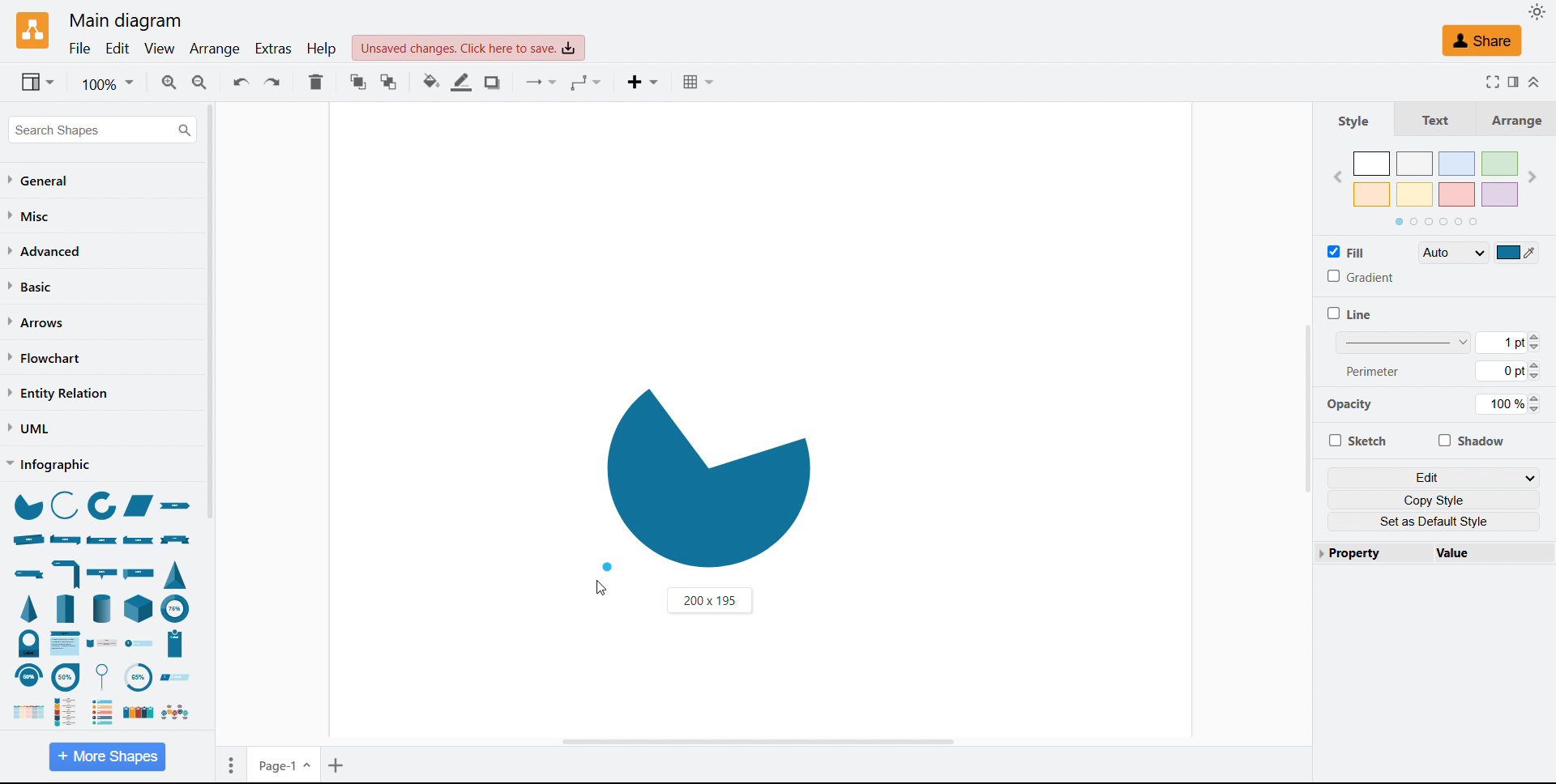  I want to click on roadmap  horizontal, so click(174, 713).